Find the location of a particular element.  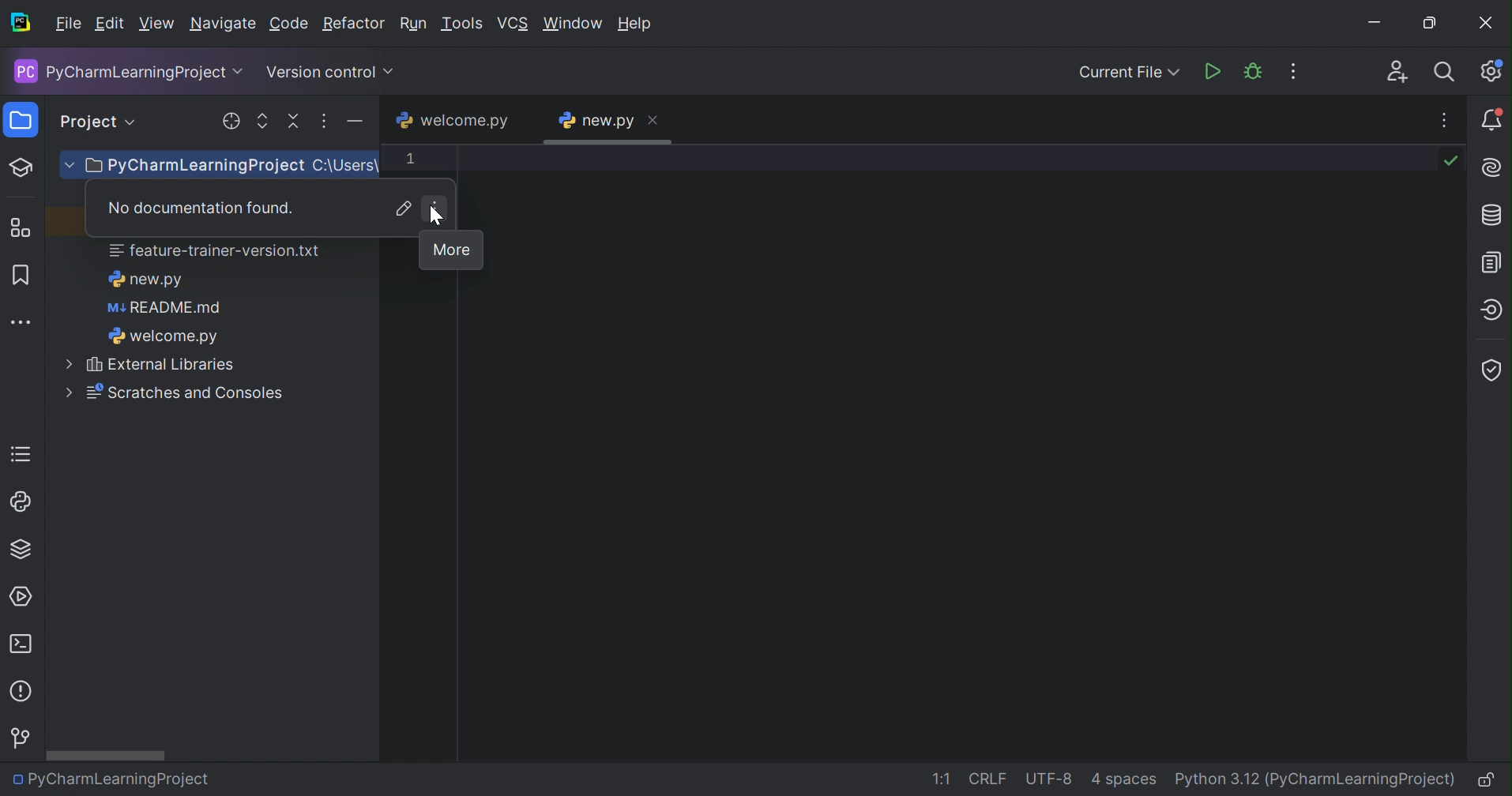

PyCharmLearningProject is located at coordinates (118, 71).